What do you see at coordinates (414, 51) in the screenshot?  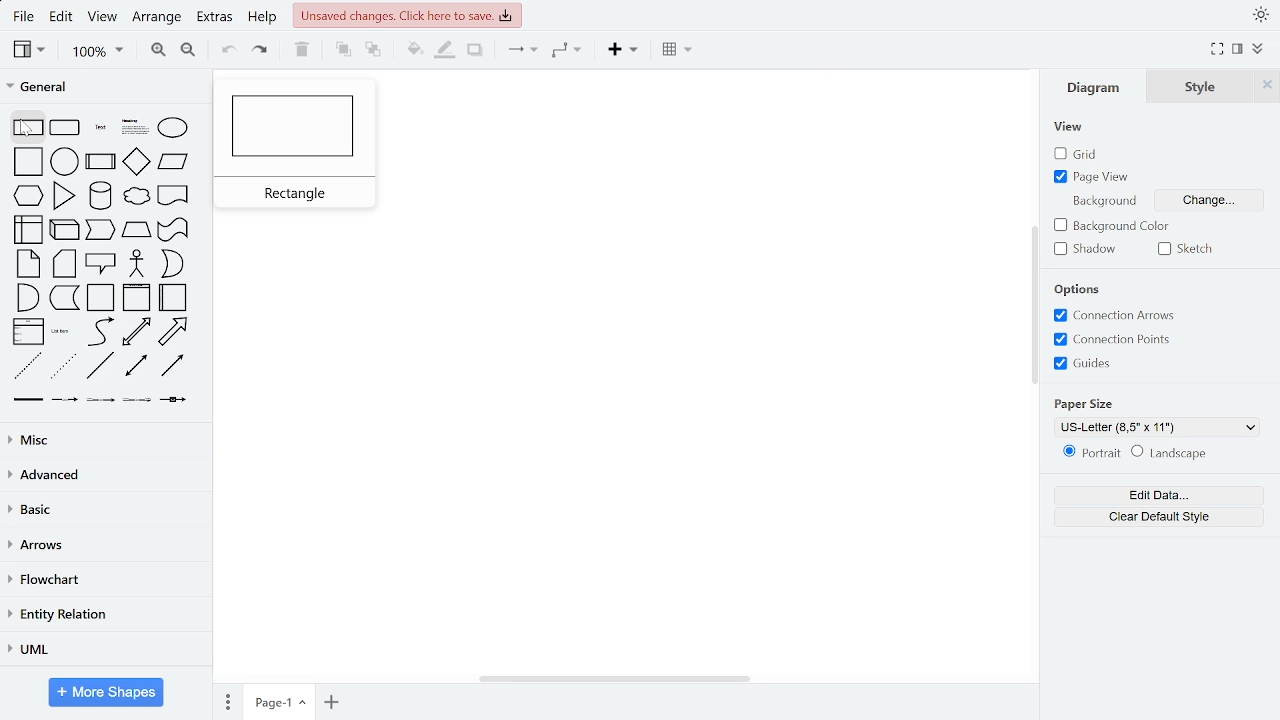 I see `fill color` at bounding box center [414, 51].